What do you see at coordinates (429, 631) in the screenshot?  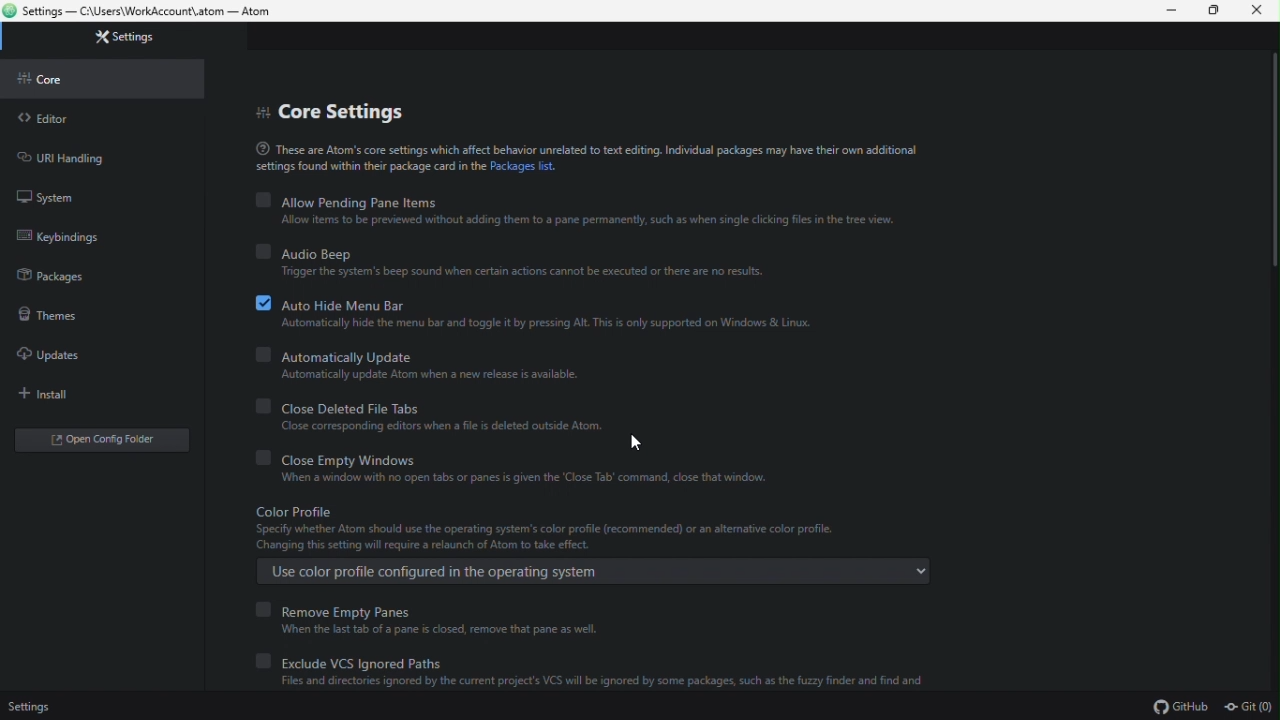 I see `When the last tab of a pane i closed, remove that pane as well` at bounding box center [429, 631].